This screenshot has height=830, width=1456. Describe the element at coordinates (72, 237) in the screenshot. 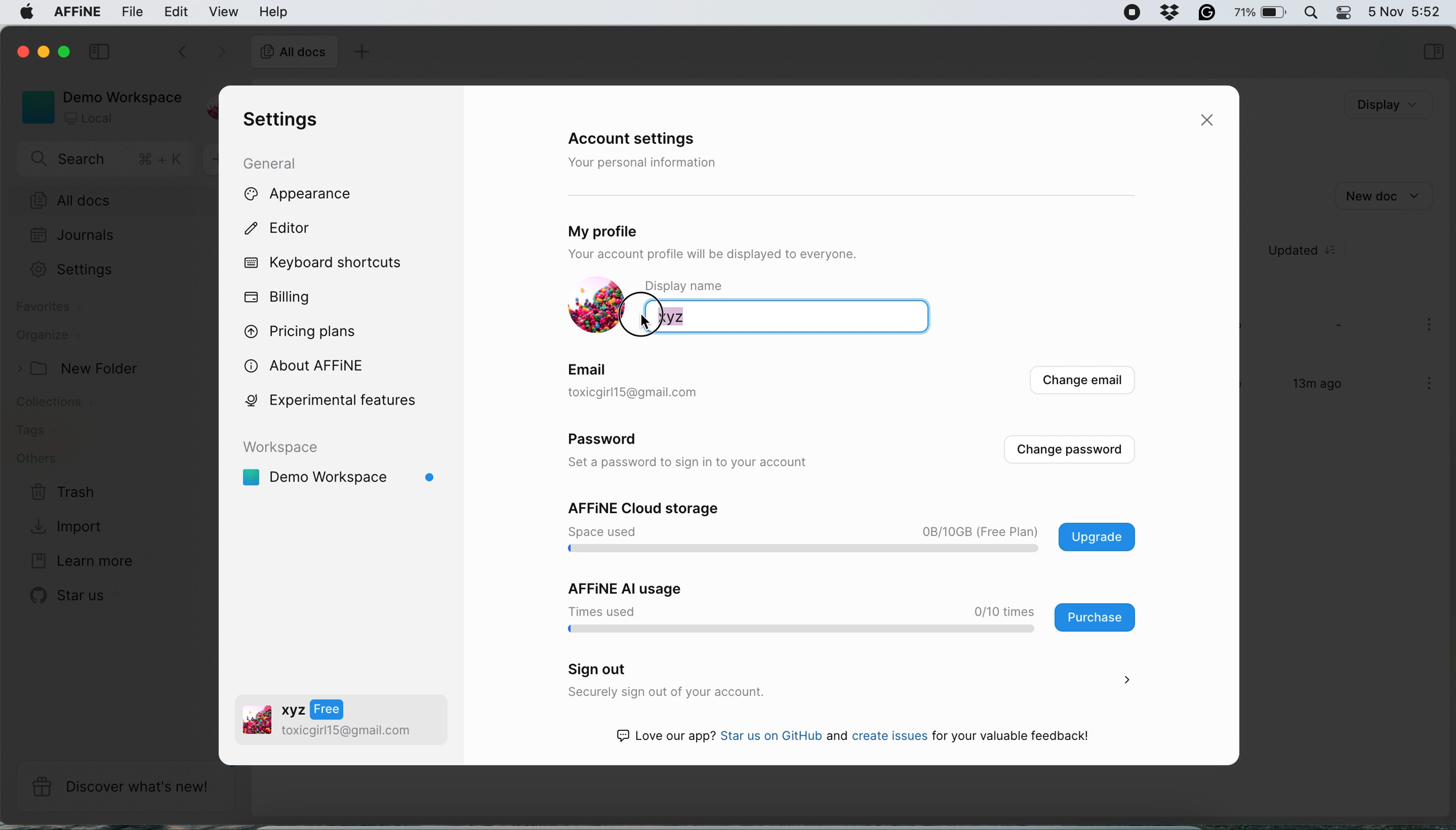

I see `journals` at that location.